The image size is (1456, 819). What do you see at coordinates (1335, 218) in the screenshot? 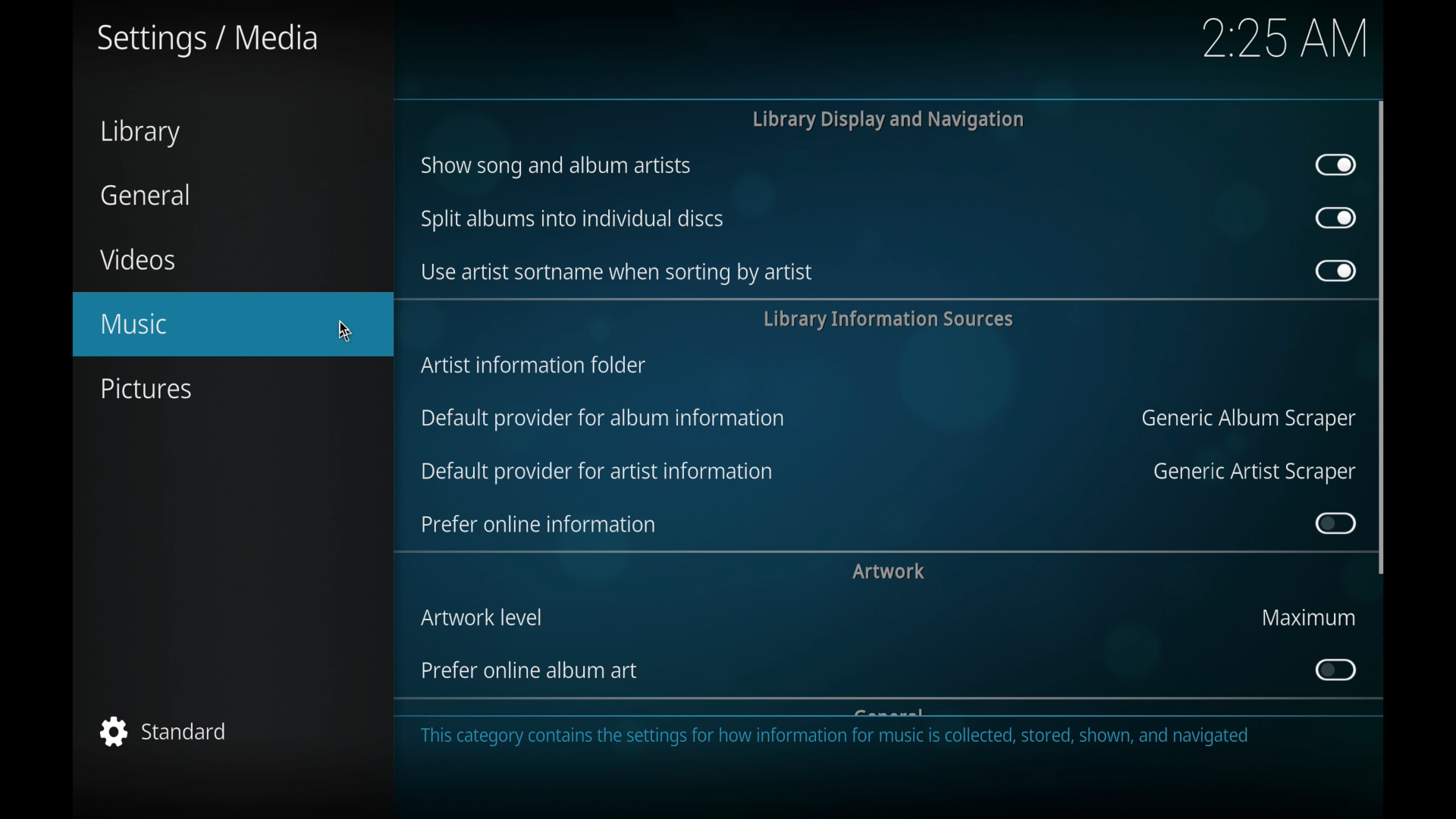
I see `toggle button` at bounding box center [1335, 218].